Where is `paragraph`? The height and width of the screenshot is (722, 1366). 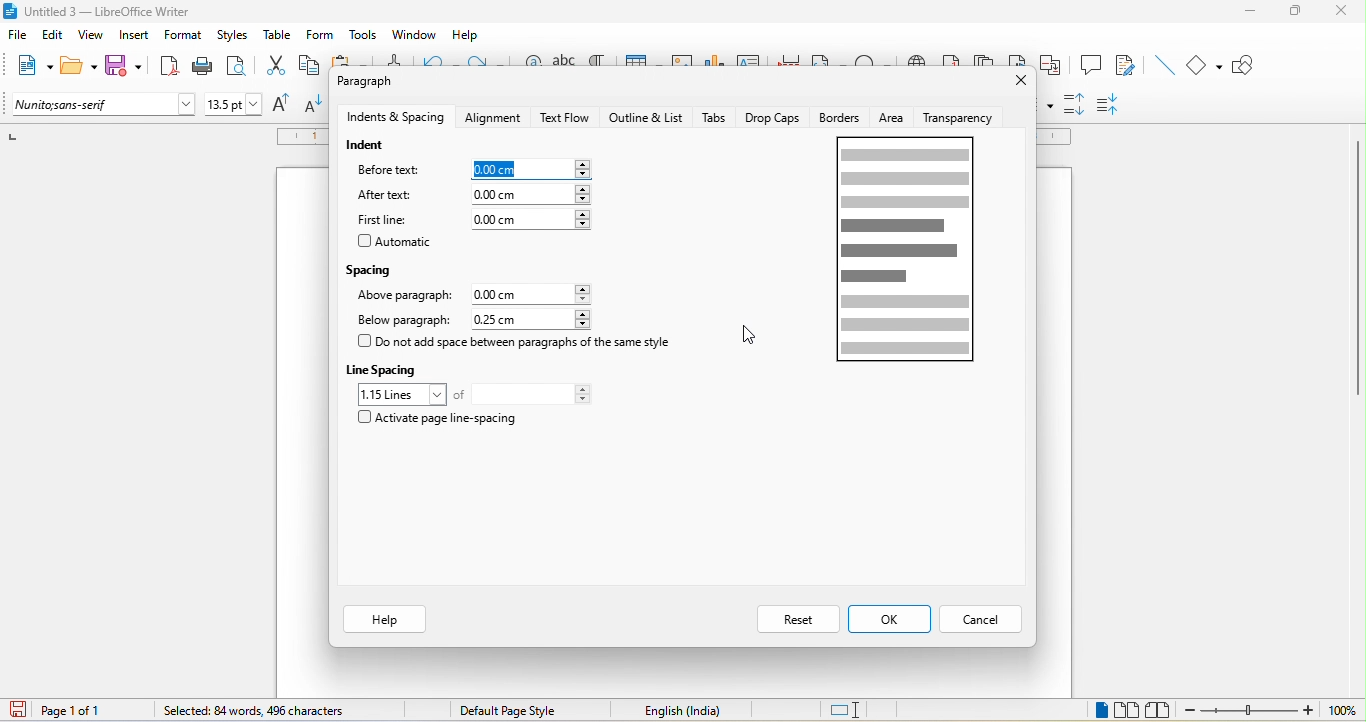
paragraph is located at coordinates (374, 85).